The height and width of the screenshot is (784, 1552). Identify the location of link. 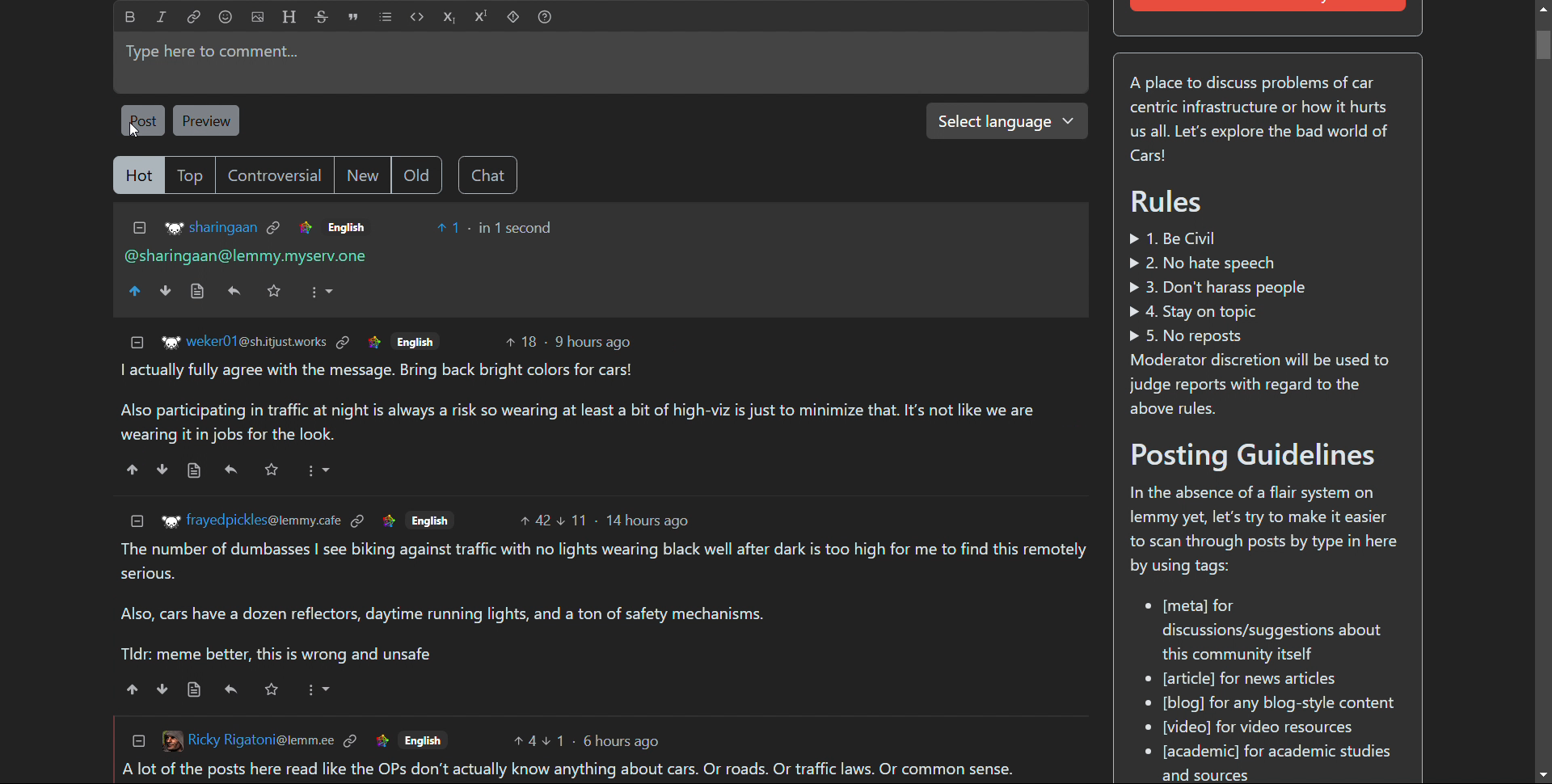
(374, 342).